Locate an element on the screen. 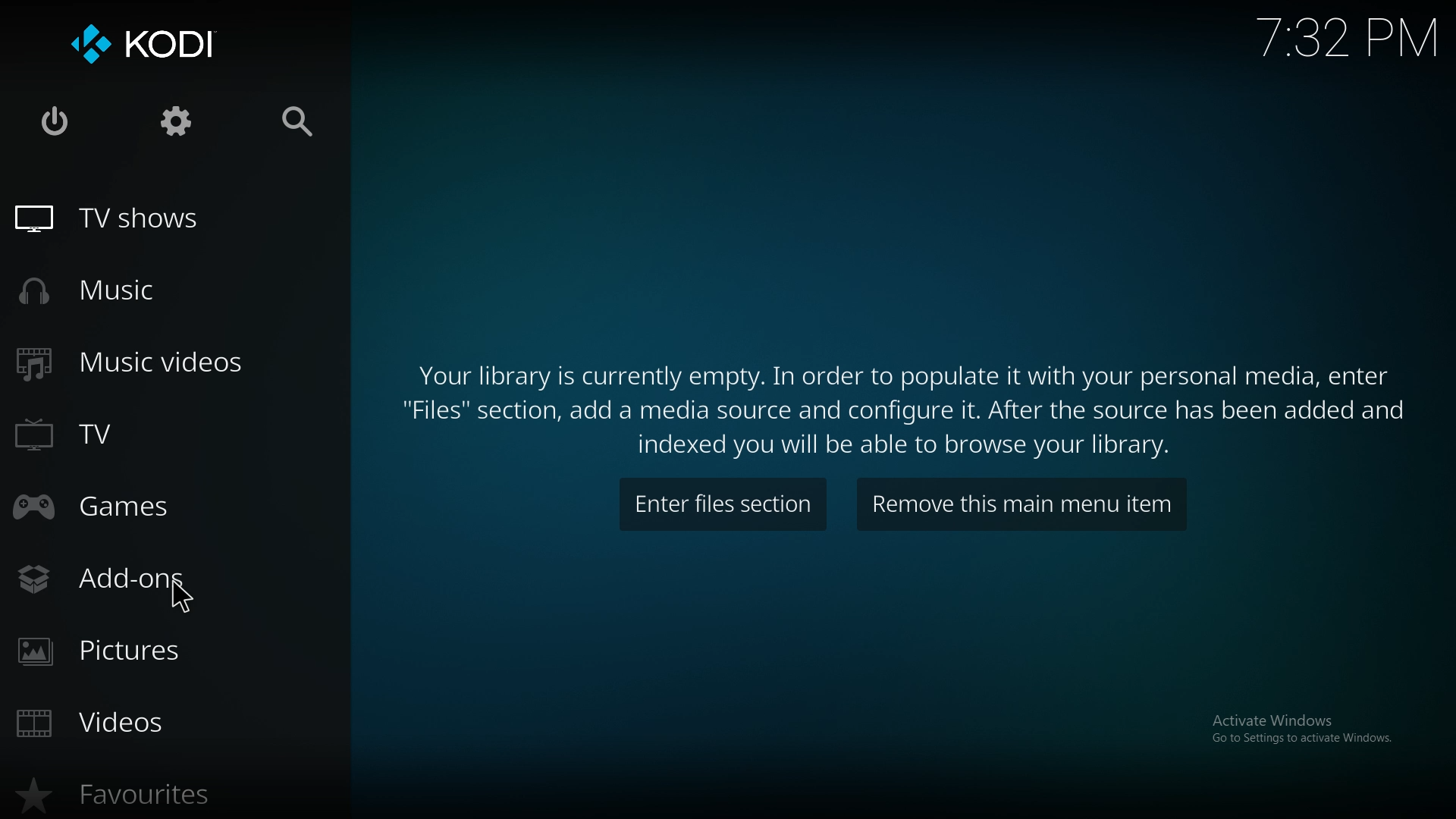 The height and width of the screenshot is (819, 1456). info is located at coordinates (908, 403).